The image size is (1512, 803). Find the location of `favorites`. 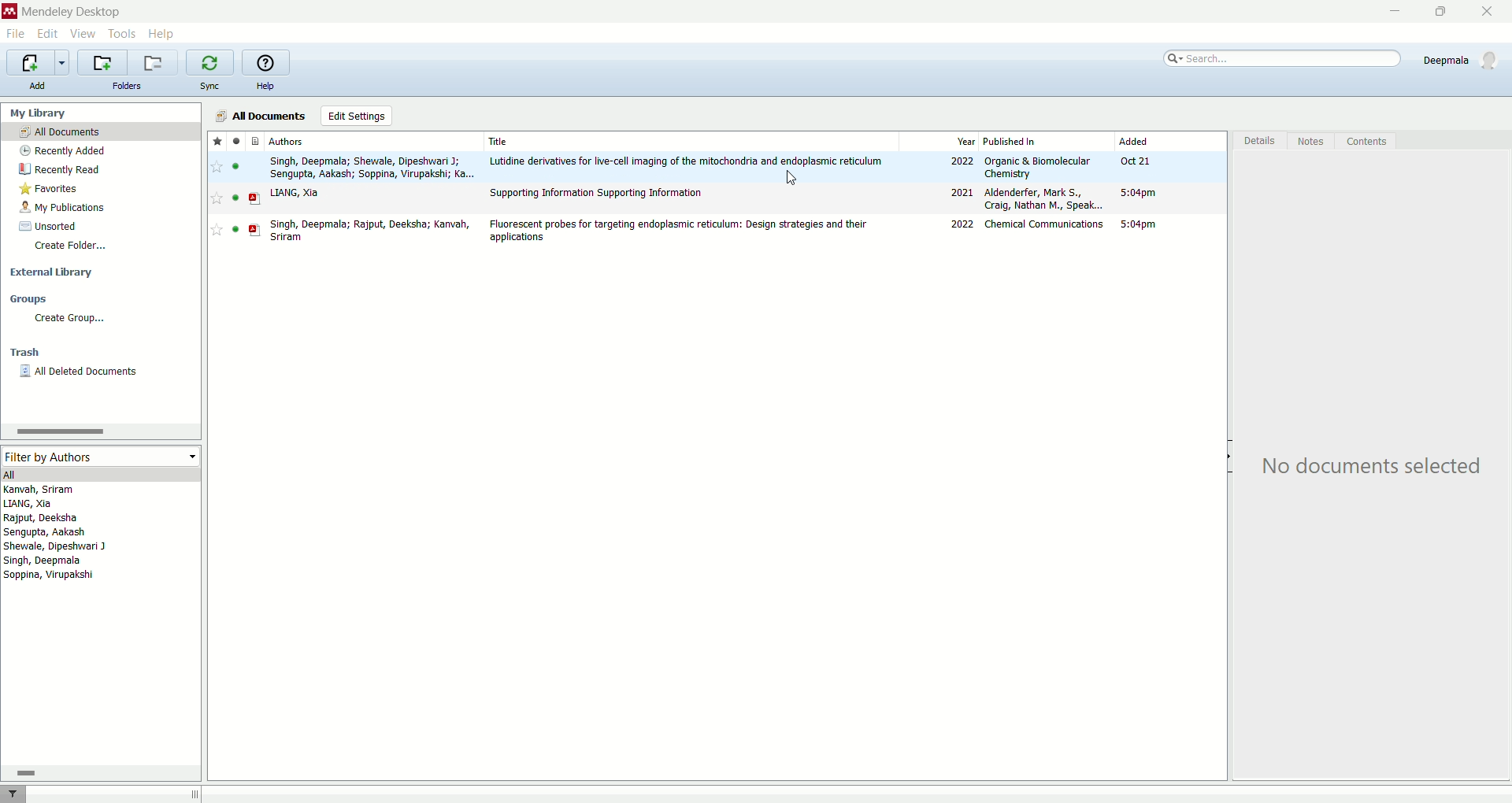

favorites is located at coordinates (50, 189).